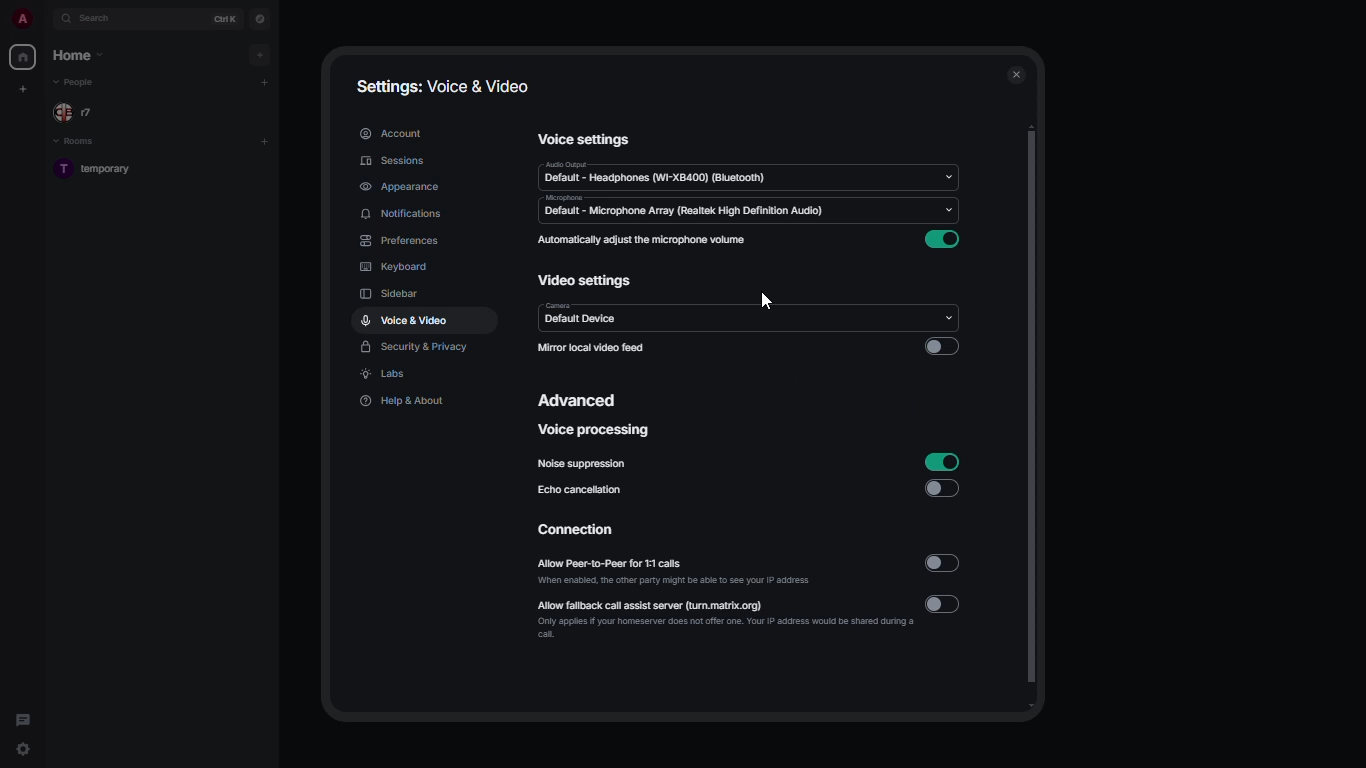 This screenshot has width=1366, height=768. Describe the element at coordinates (80, 53) in the screenshot. I see `home` at that location.